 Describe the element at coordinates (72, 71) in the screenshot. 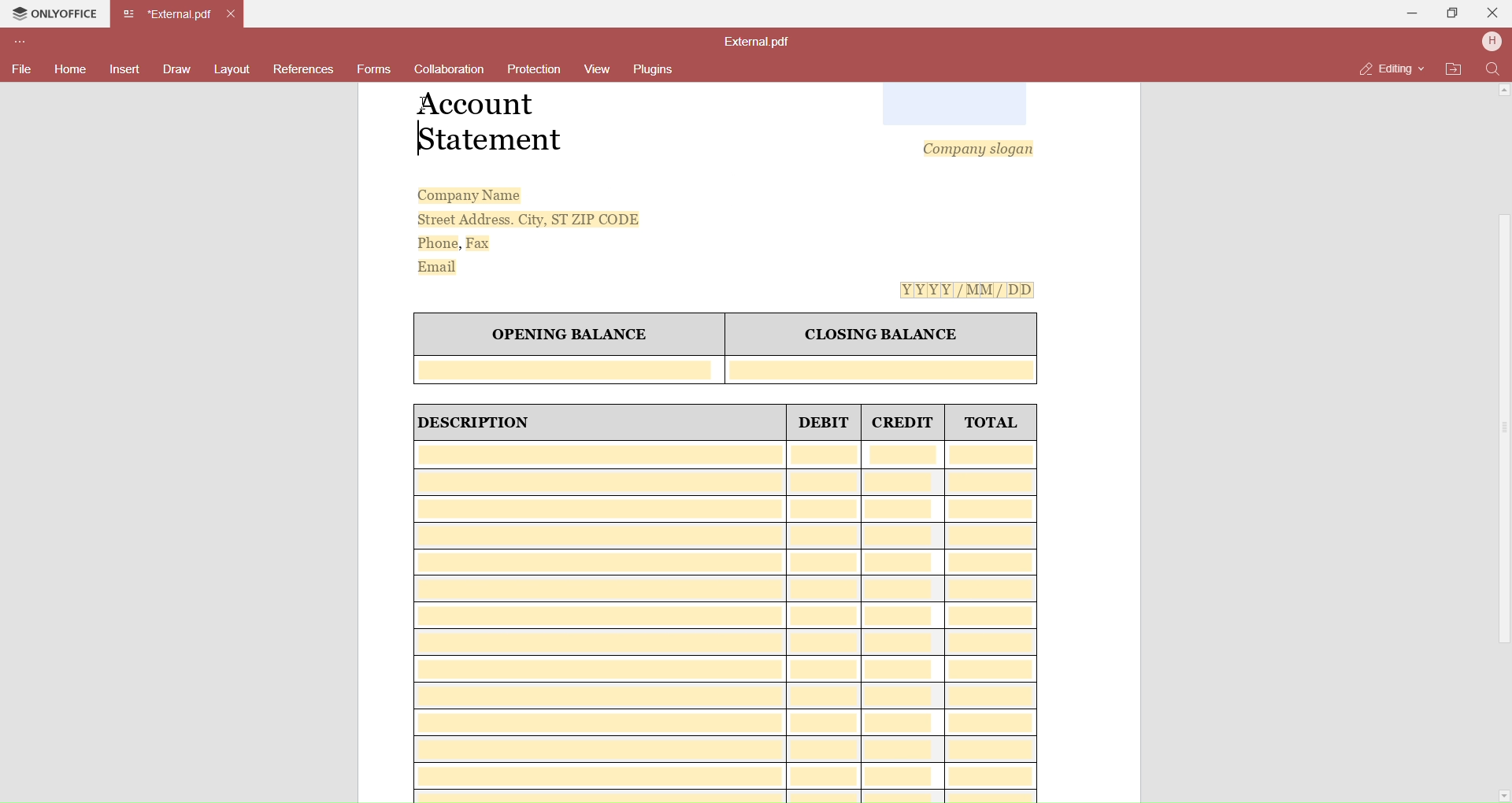

I see `Home` at that location.